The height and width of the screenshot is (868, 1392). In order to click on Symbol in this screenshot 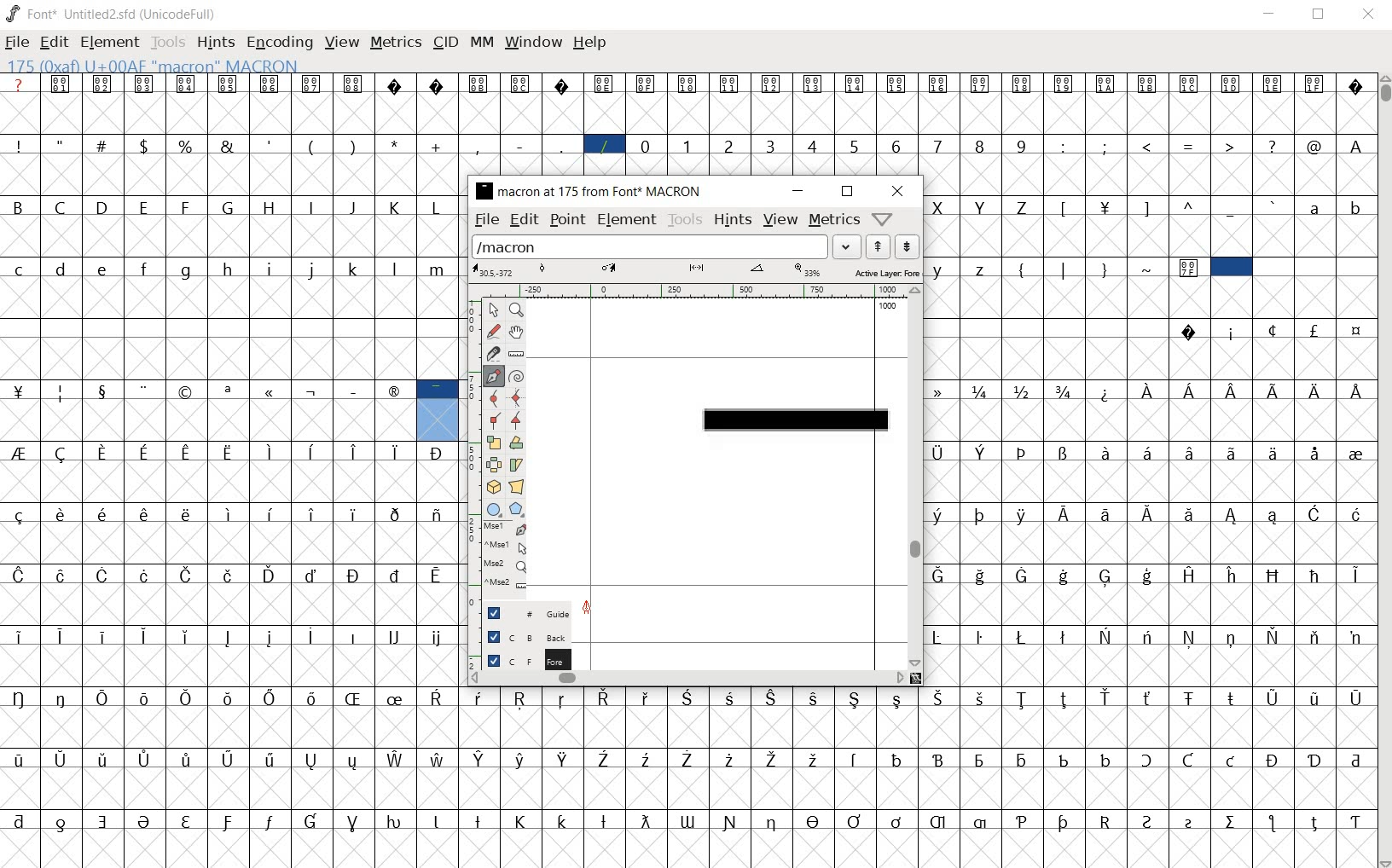, I will do `click(816, 697)`.